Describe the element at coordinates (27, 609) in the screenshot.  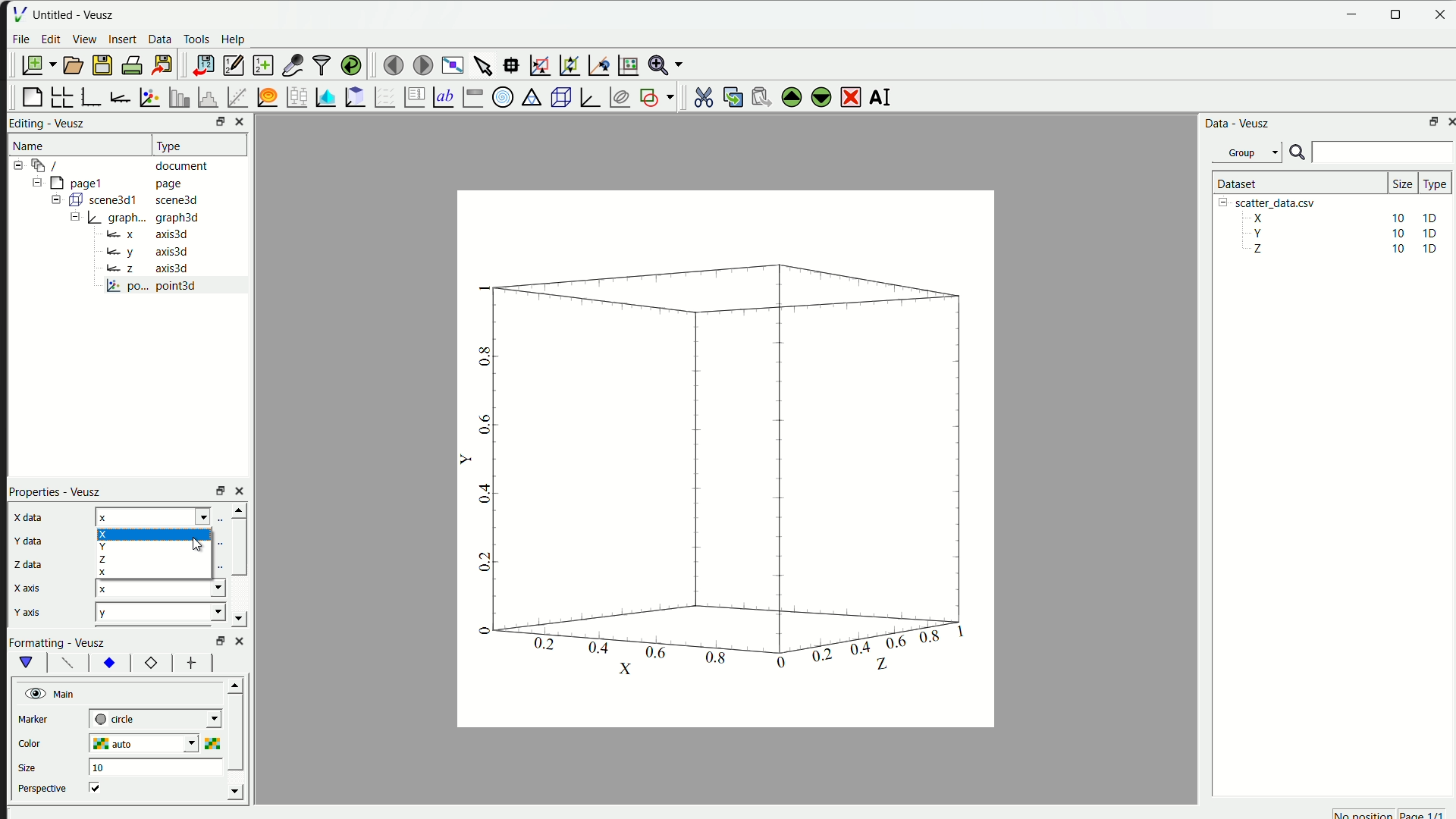
I see `y axis` at that location.